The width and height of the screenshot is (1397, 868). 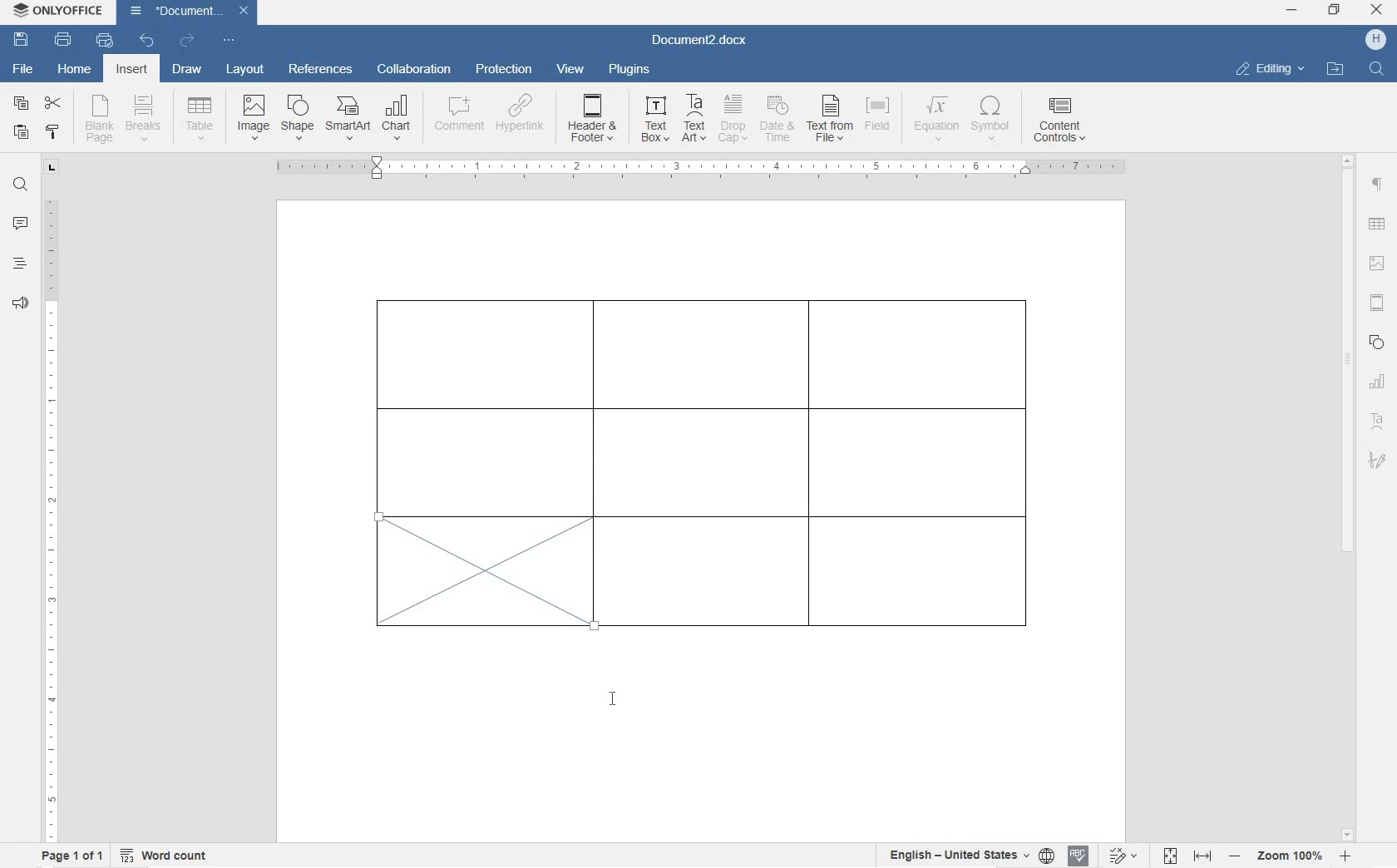 What do you see at coordinates (297, 121) in the screenshot?
I see `INSERT SHAPE` at bounding box center [297, 121].